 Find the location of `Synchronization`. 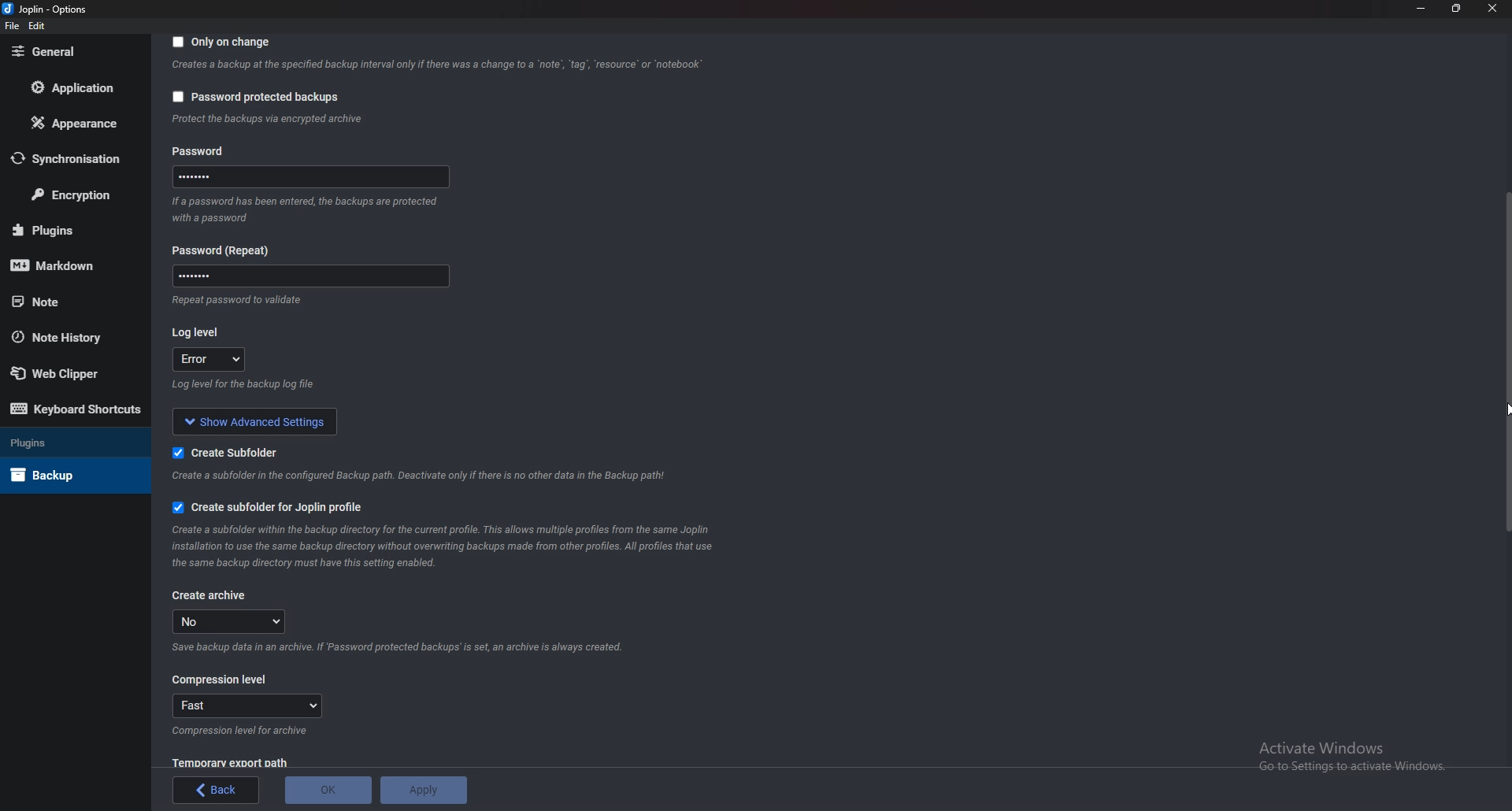

Synchronization is located at coordinates (71, 157).